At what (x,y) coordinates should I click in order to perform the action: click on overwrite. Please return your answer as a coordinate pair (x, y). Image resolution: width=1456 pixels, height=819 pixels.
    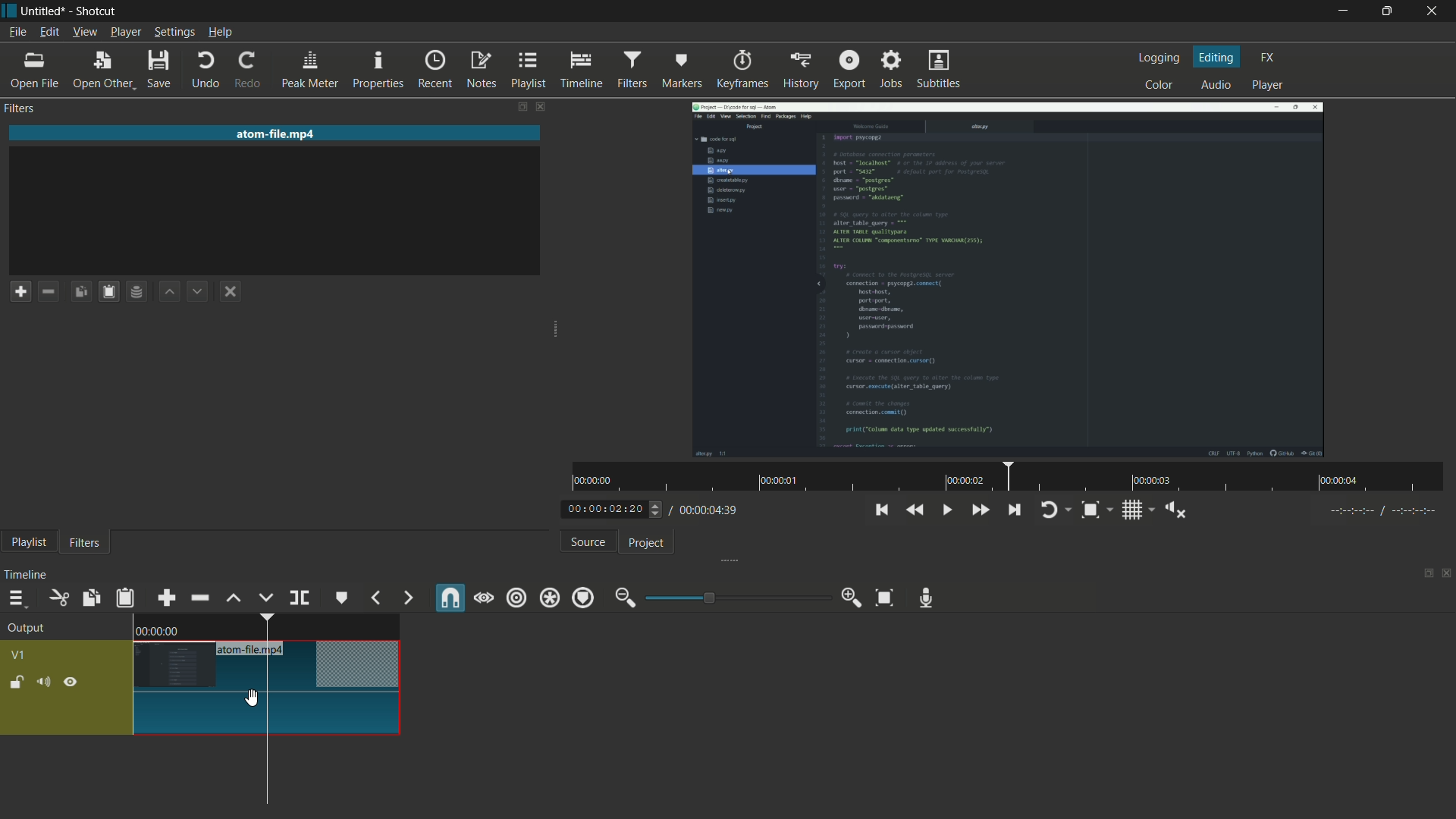
    Looking at the image, I should click on (265, 598).